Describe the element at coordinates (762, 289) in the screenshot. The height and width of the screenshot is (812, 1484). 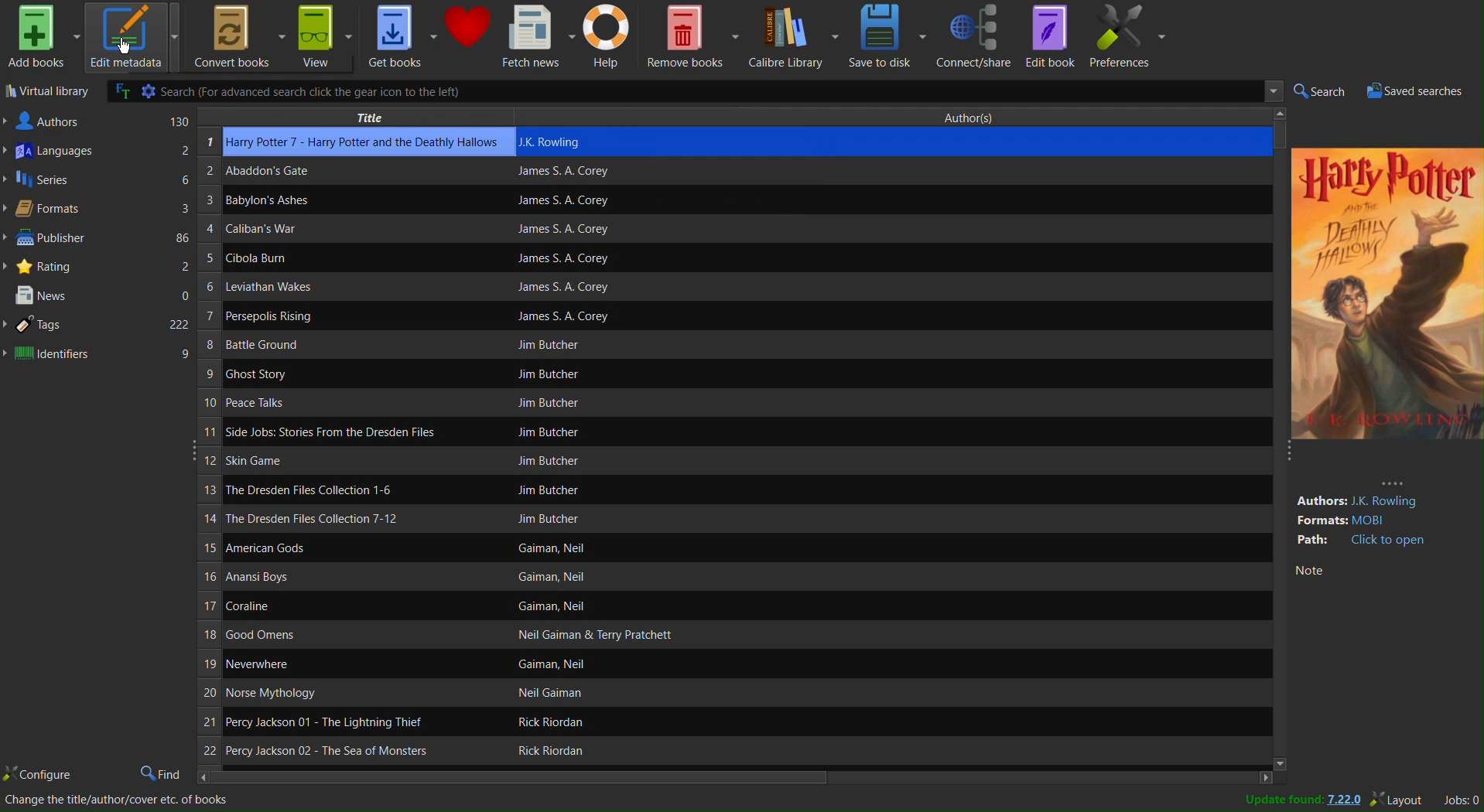
I see `Author’s name` at that location.